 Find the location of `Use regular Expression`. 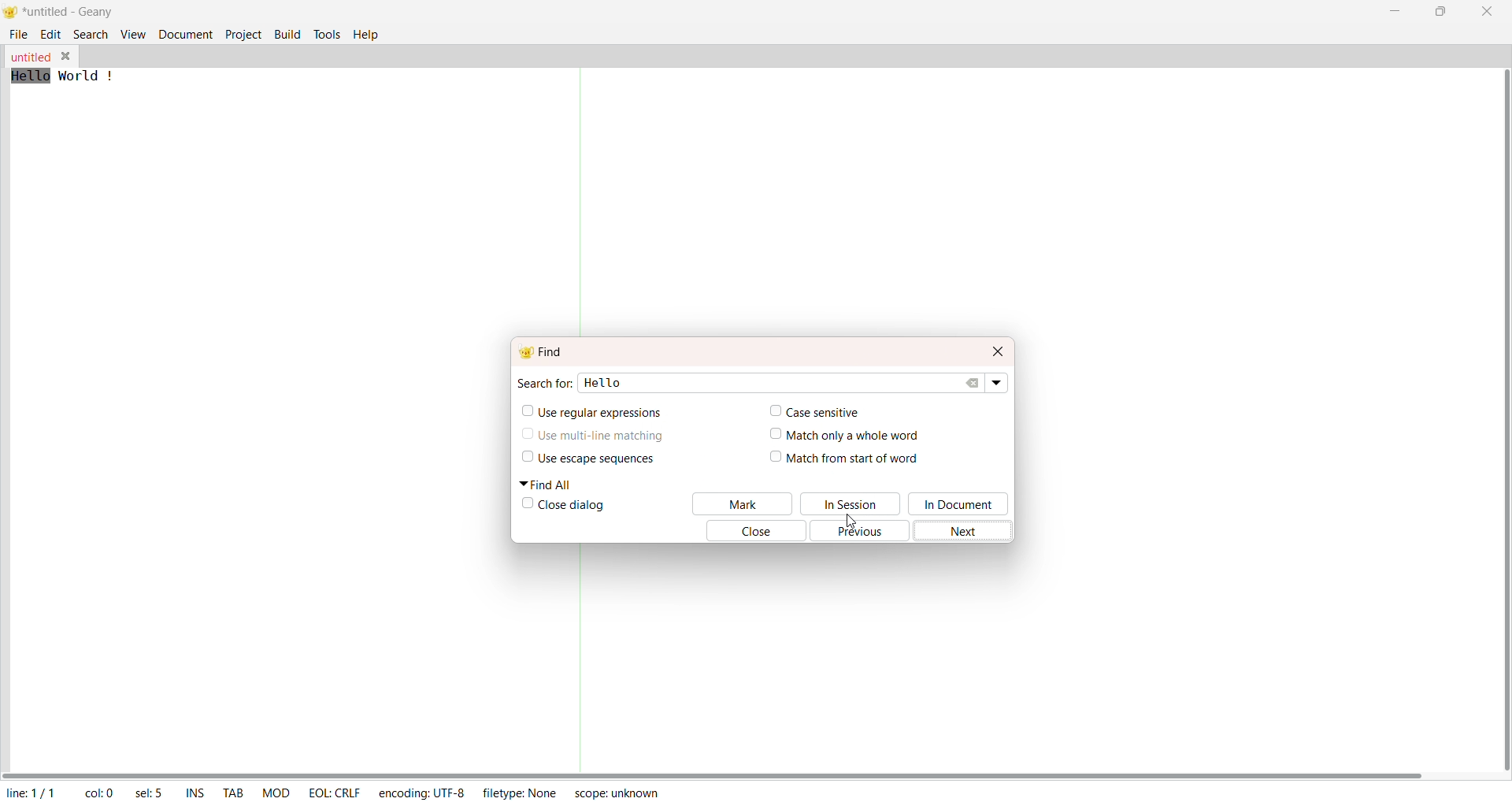

Use regular Expression is located at coordinates (601, 414).